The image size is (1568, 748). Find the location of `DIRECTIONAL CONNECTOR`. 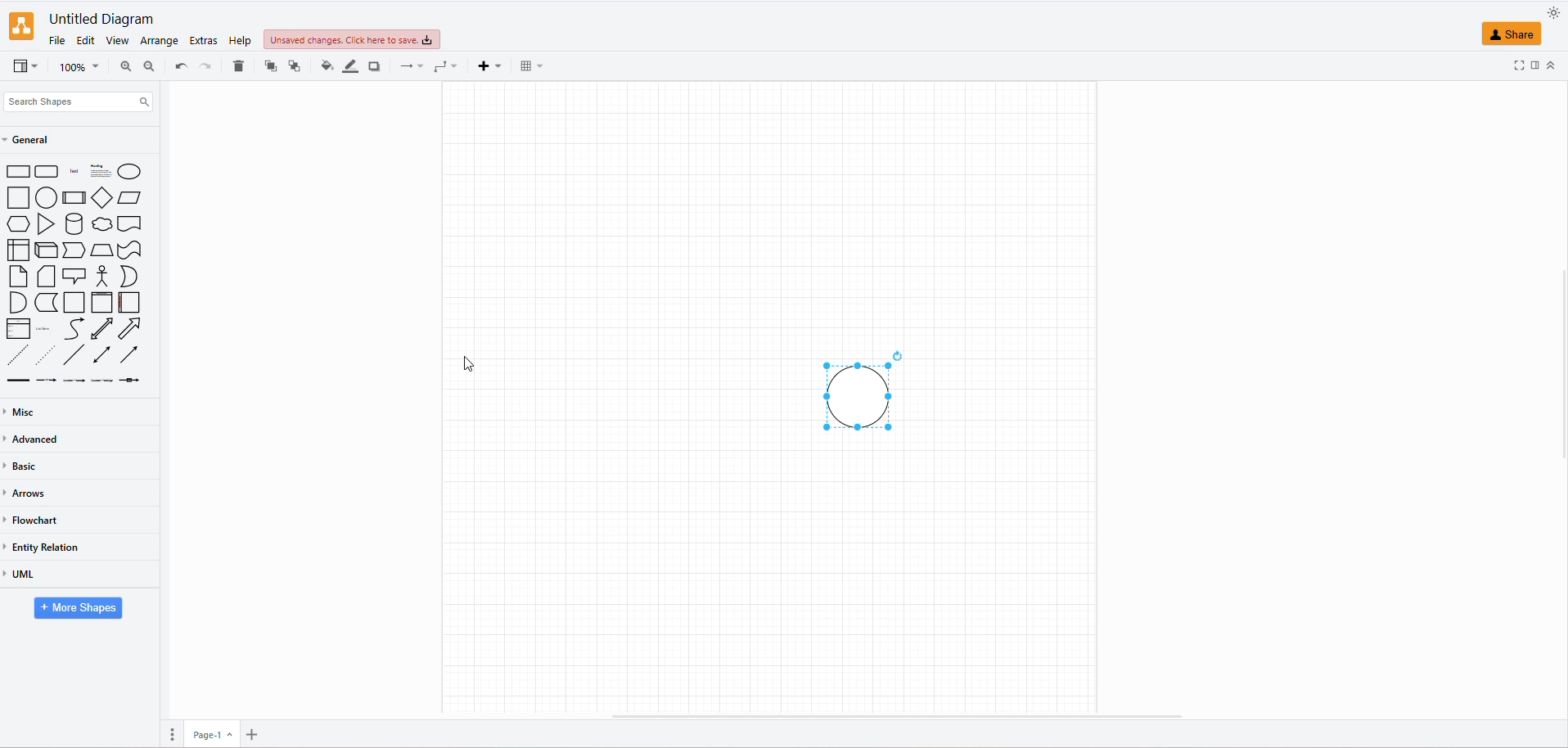

DIRECTIONAL CONNECTOR is located at coordinates (127, 355).